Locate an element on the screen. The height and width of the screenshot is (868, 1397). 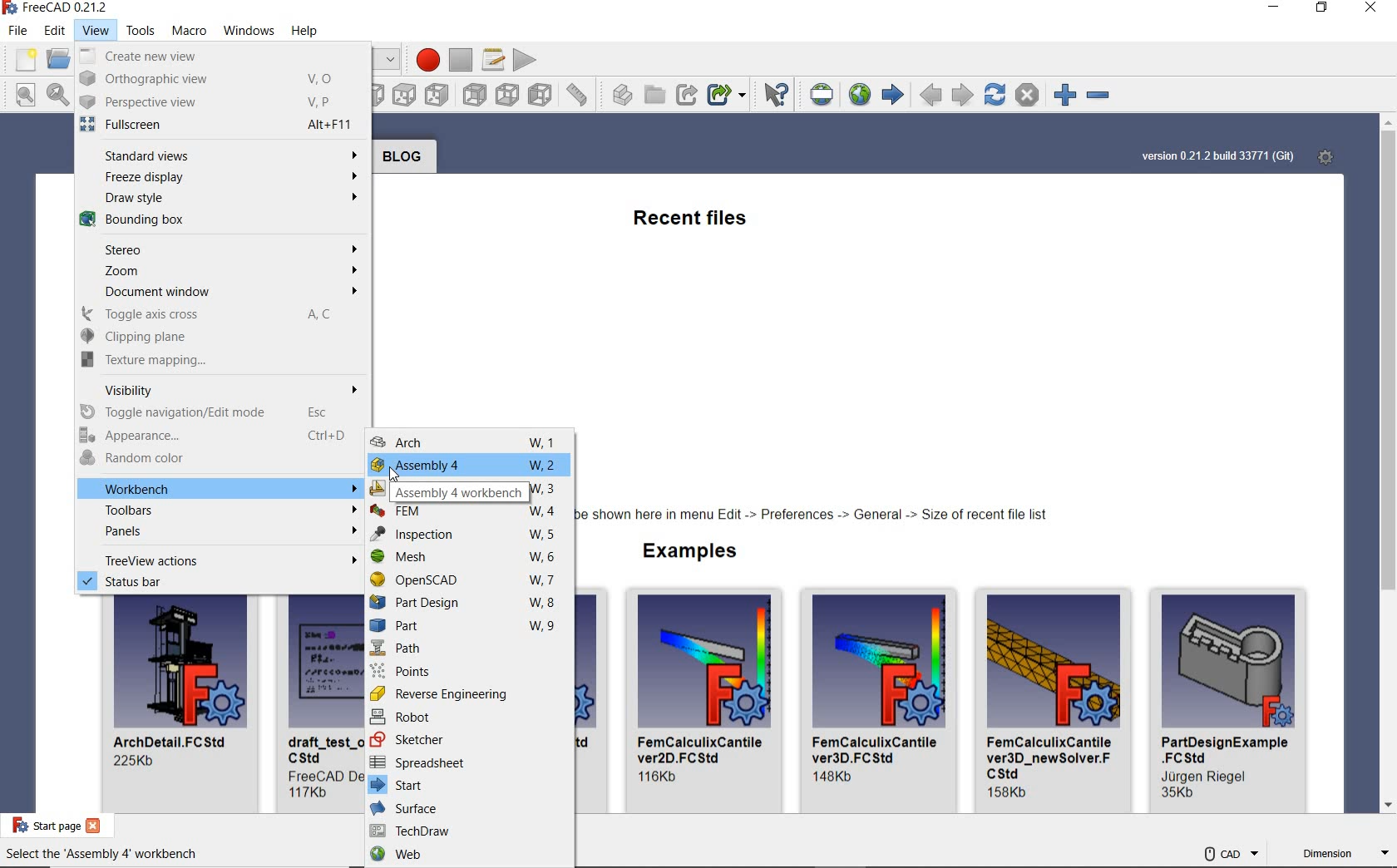
clipping plane is located at coordinates (220, 338).